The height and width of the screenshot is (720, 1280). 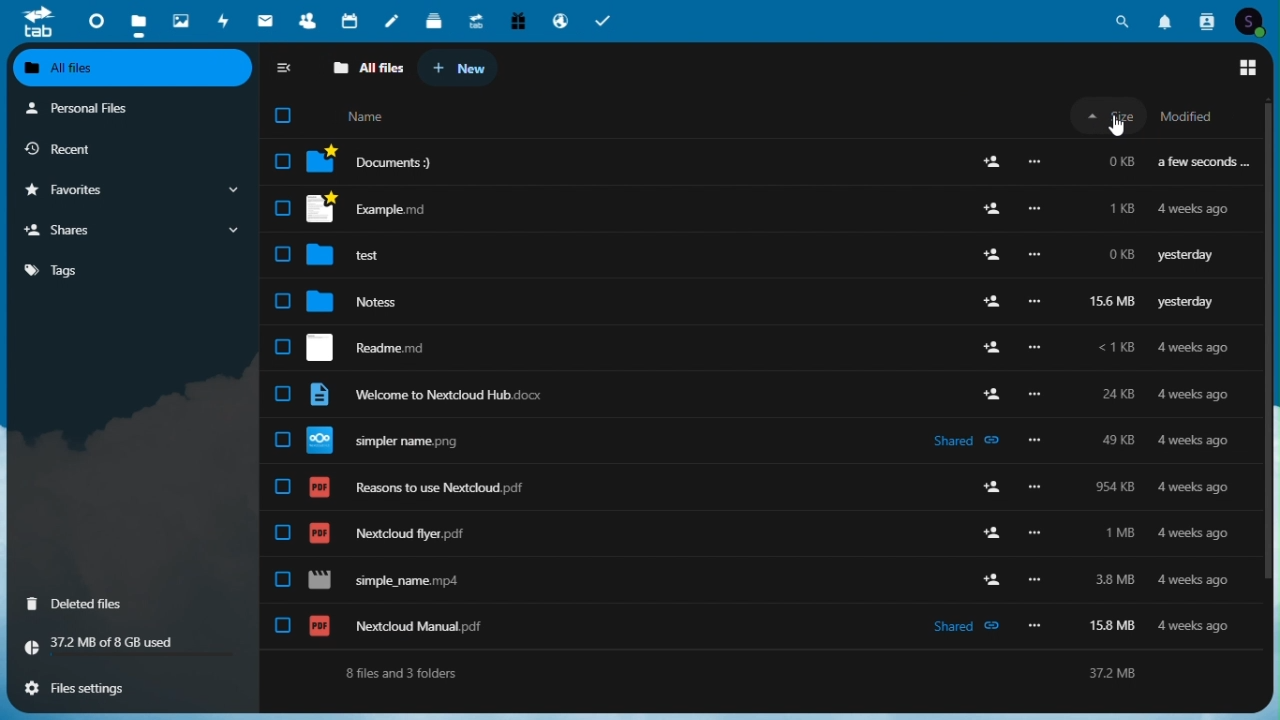 What do you see at coordinates (307, 19) in the screenshot?
I see `Contacts` at bounding box center [307, 19].